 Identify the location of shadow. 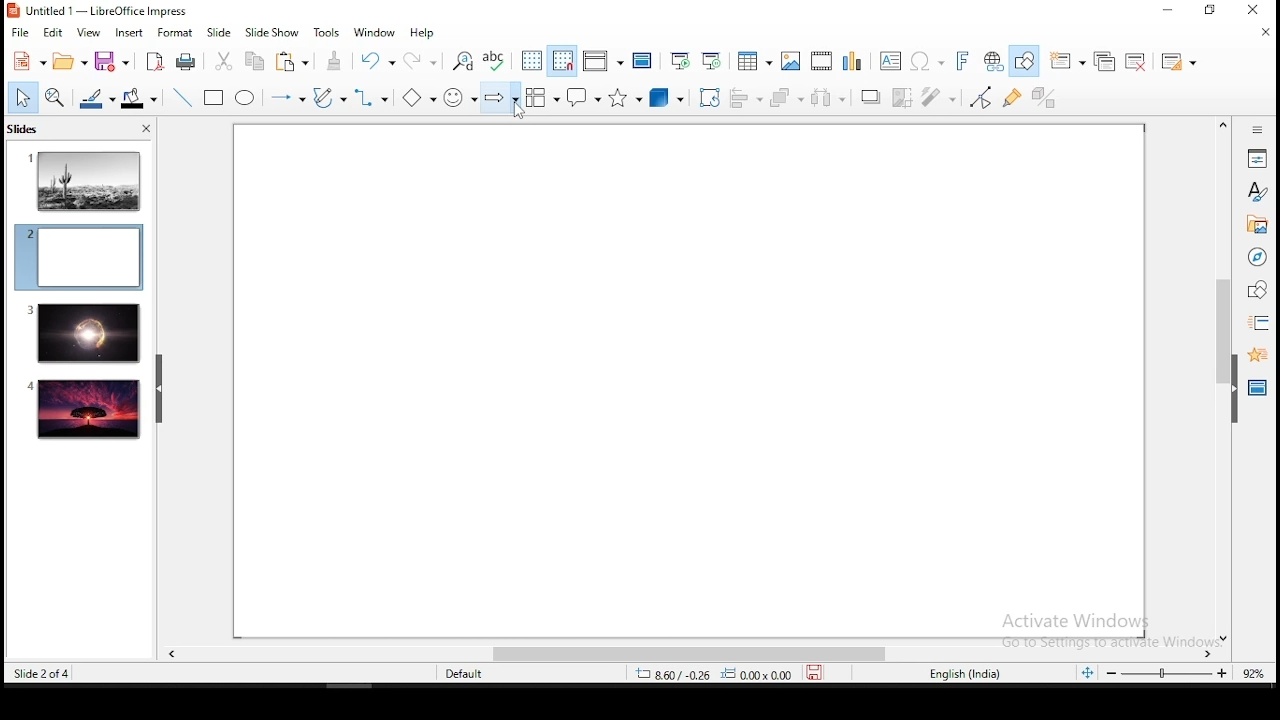
(870, 95).